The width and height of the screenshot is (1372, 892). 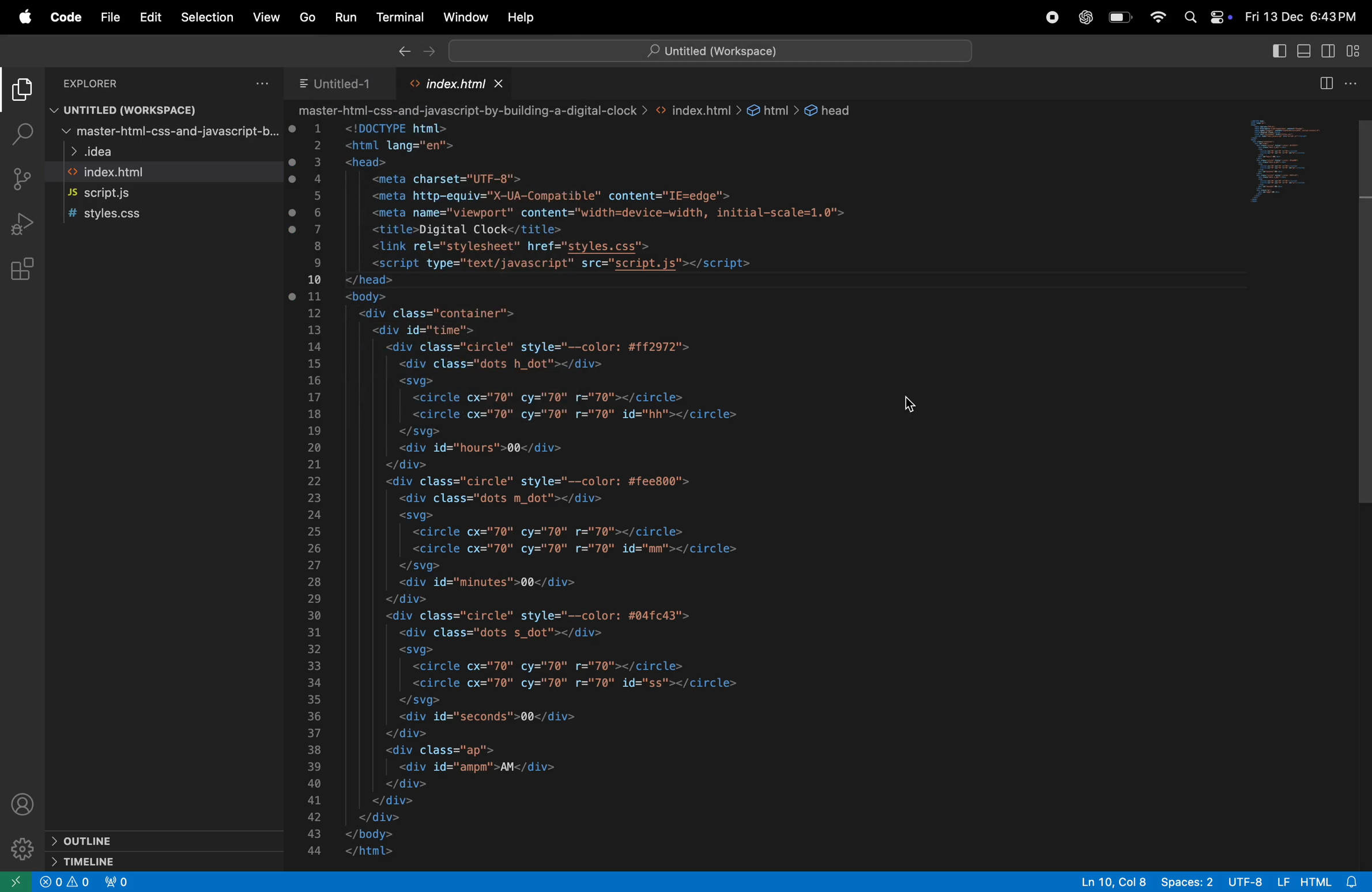 I want to click on cursor, so click(x=914, y=406).